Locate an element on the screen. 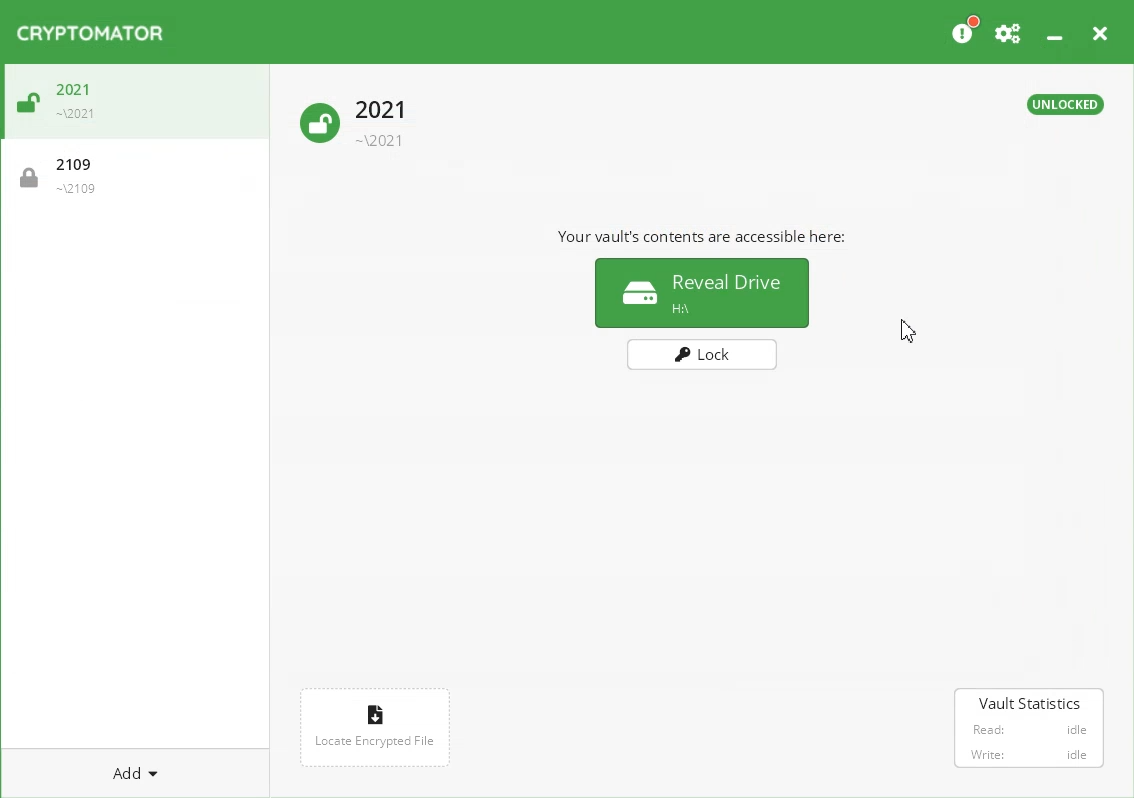  Locate encrypted file is located at coordinates (375, 727).